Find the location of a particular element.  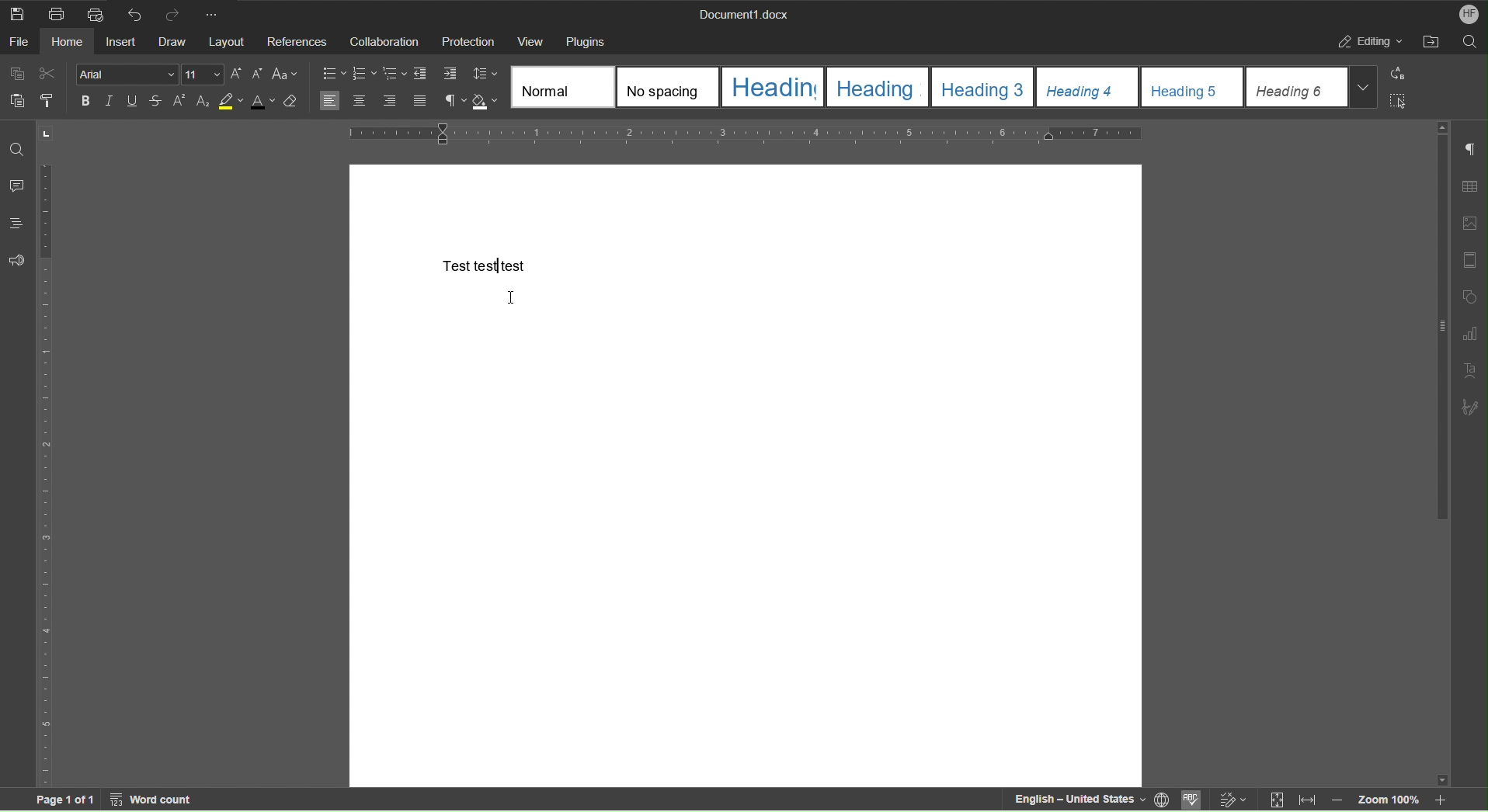

Collaboration is located at coordinates (382, 40).